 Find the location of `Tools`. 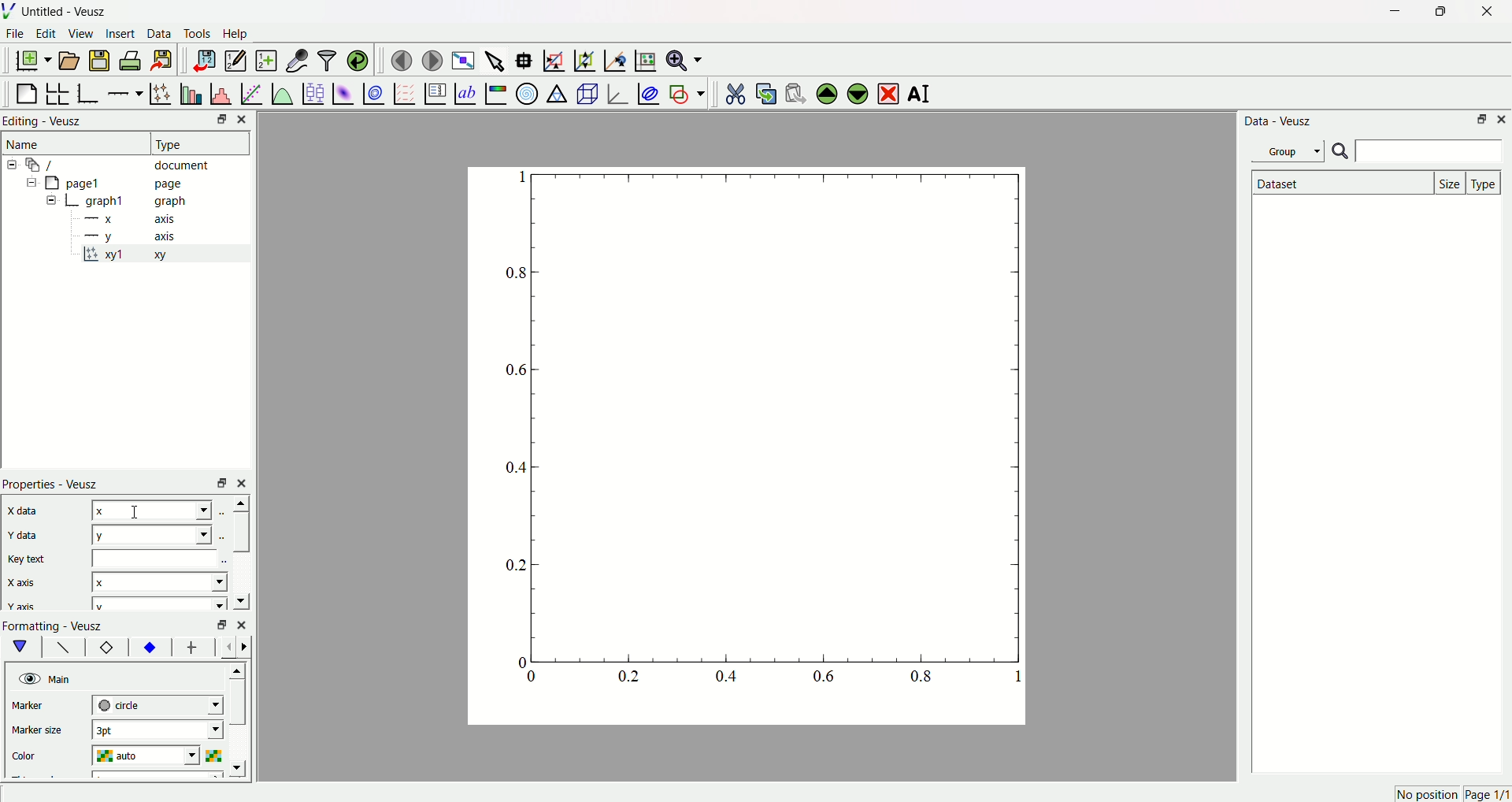

Tools is located at coordinates (198, 35).